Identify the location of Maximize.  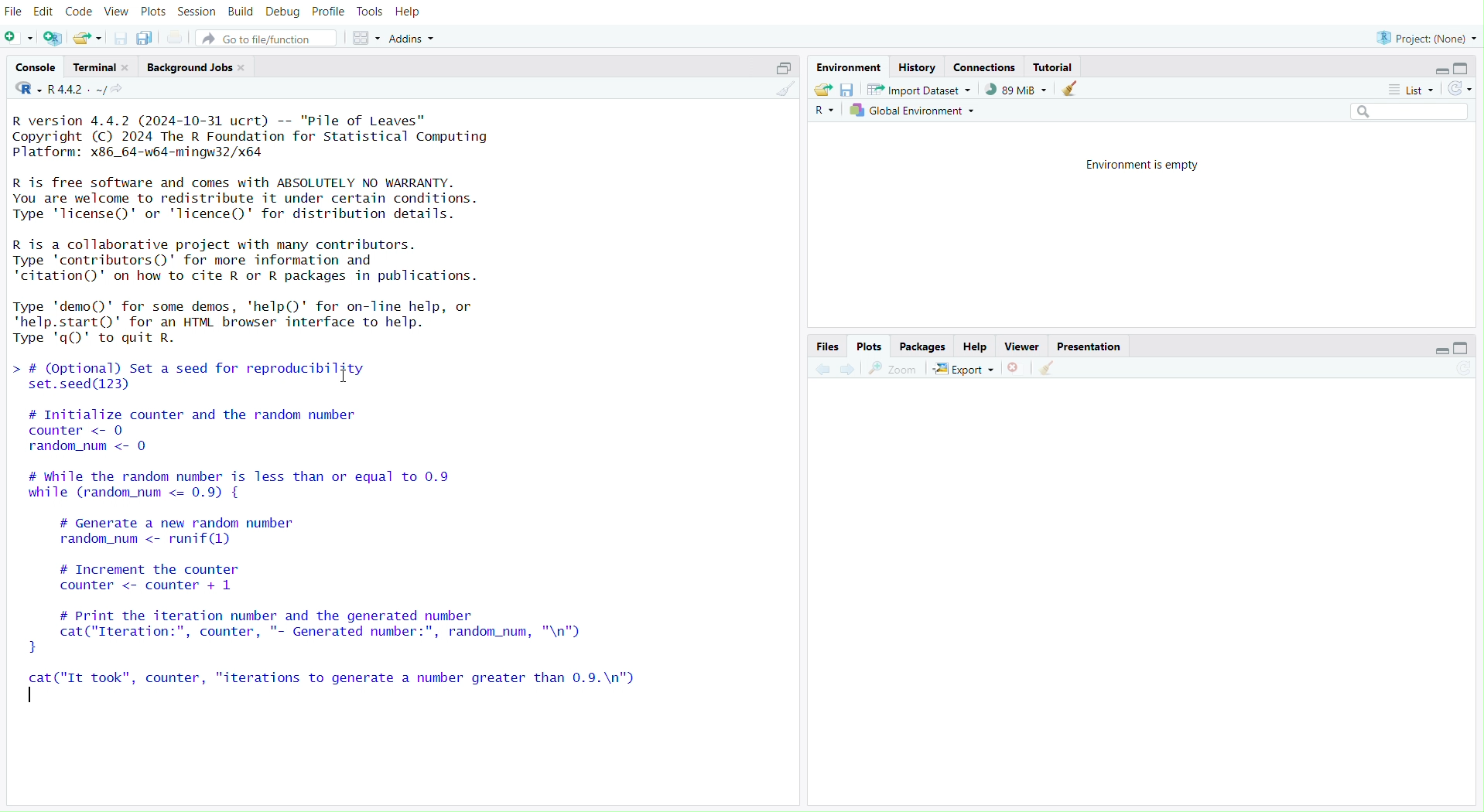
(1464, 346).